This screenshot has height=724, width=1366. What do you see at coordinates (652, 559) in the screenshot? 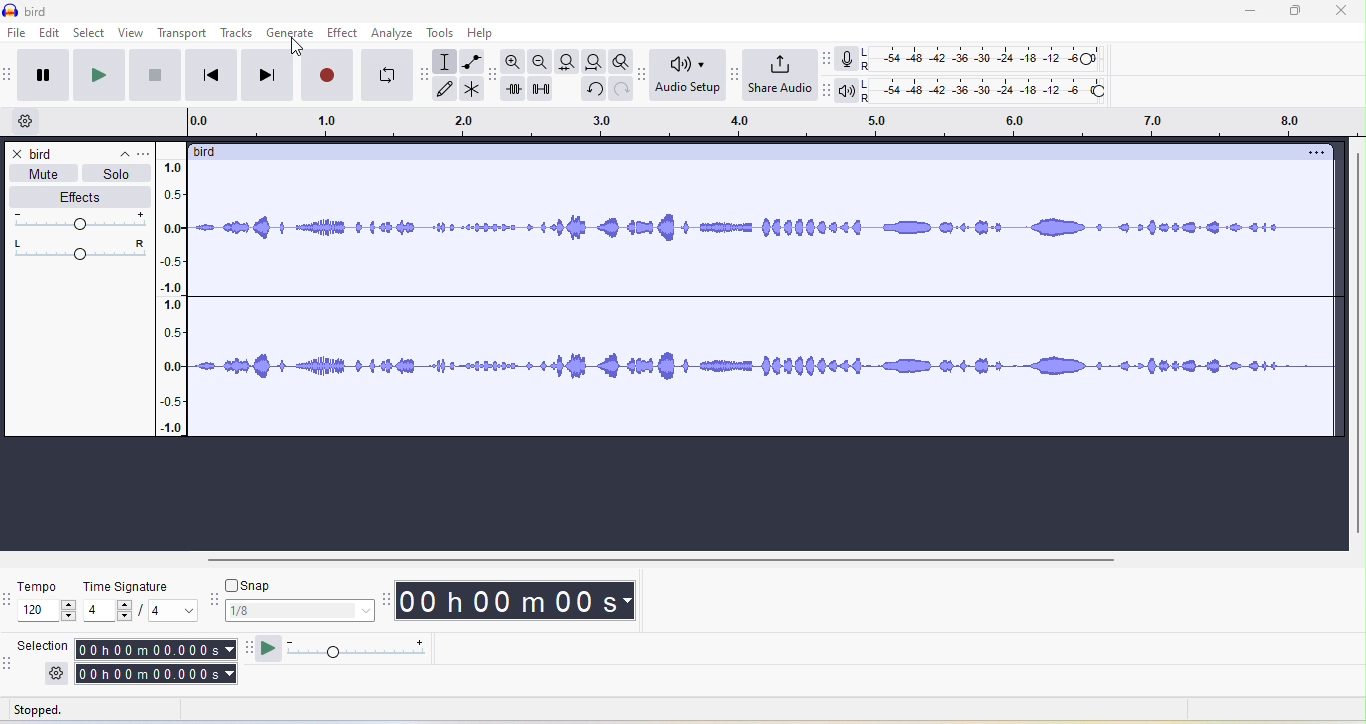
I see `horizontal scroll bar` at bounding box center [652, 559].